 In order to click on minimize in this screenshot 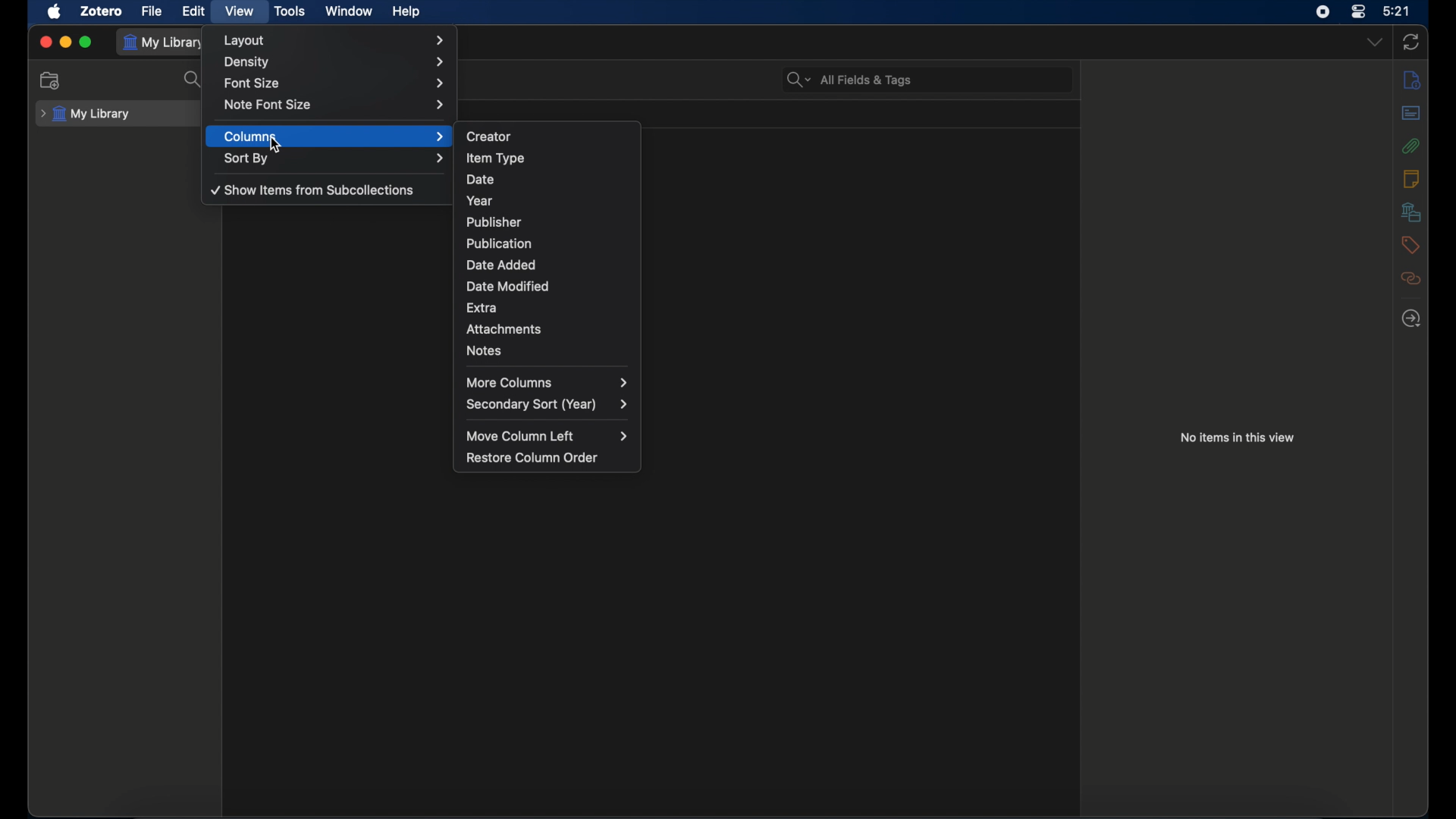, I will do `click(65, 42)`.